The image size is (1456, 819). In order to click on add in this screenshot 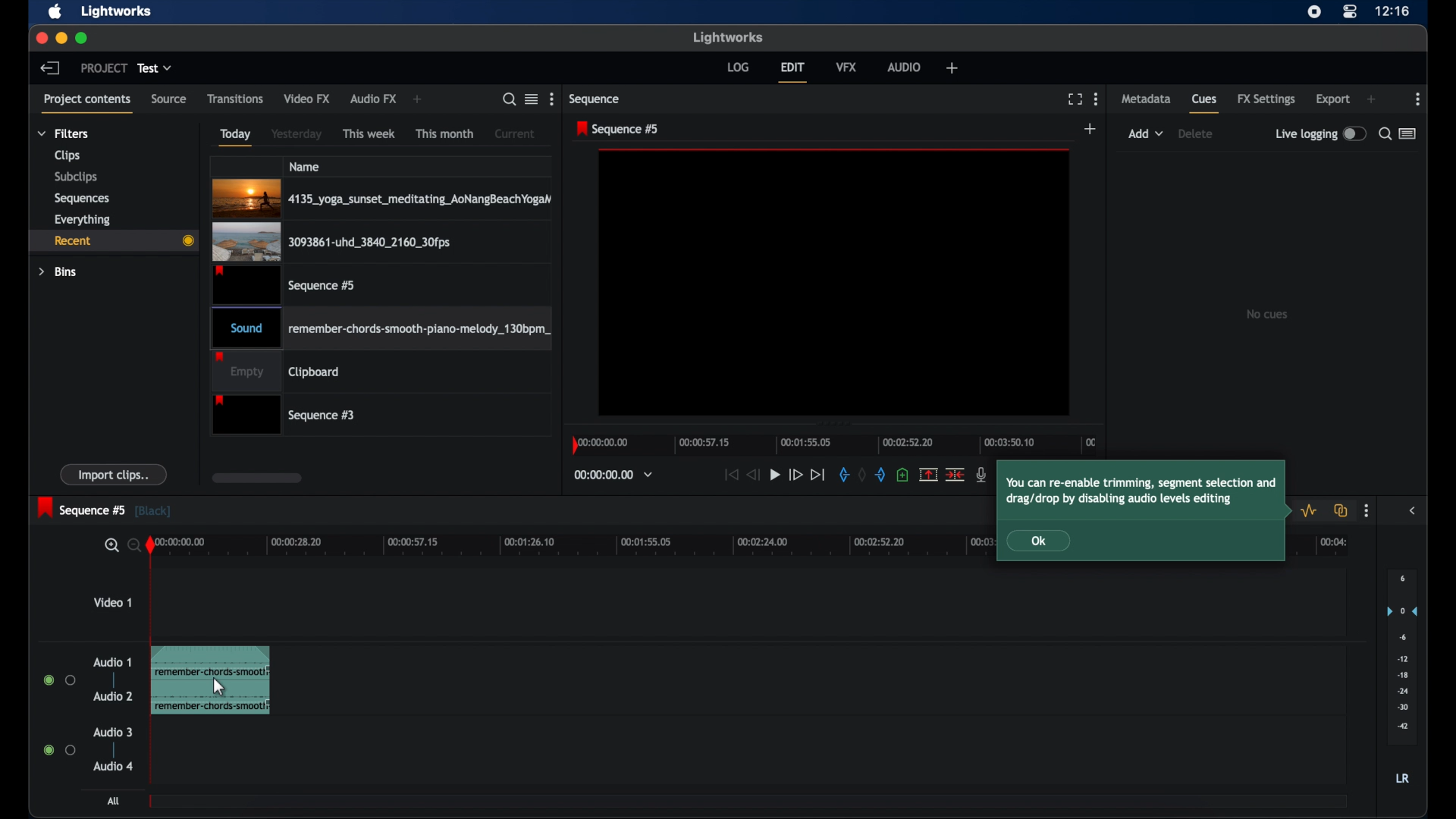, I will do `click(1091, 130)`.